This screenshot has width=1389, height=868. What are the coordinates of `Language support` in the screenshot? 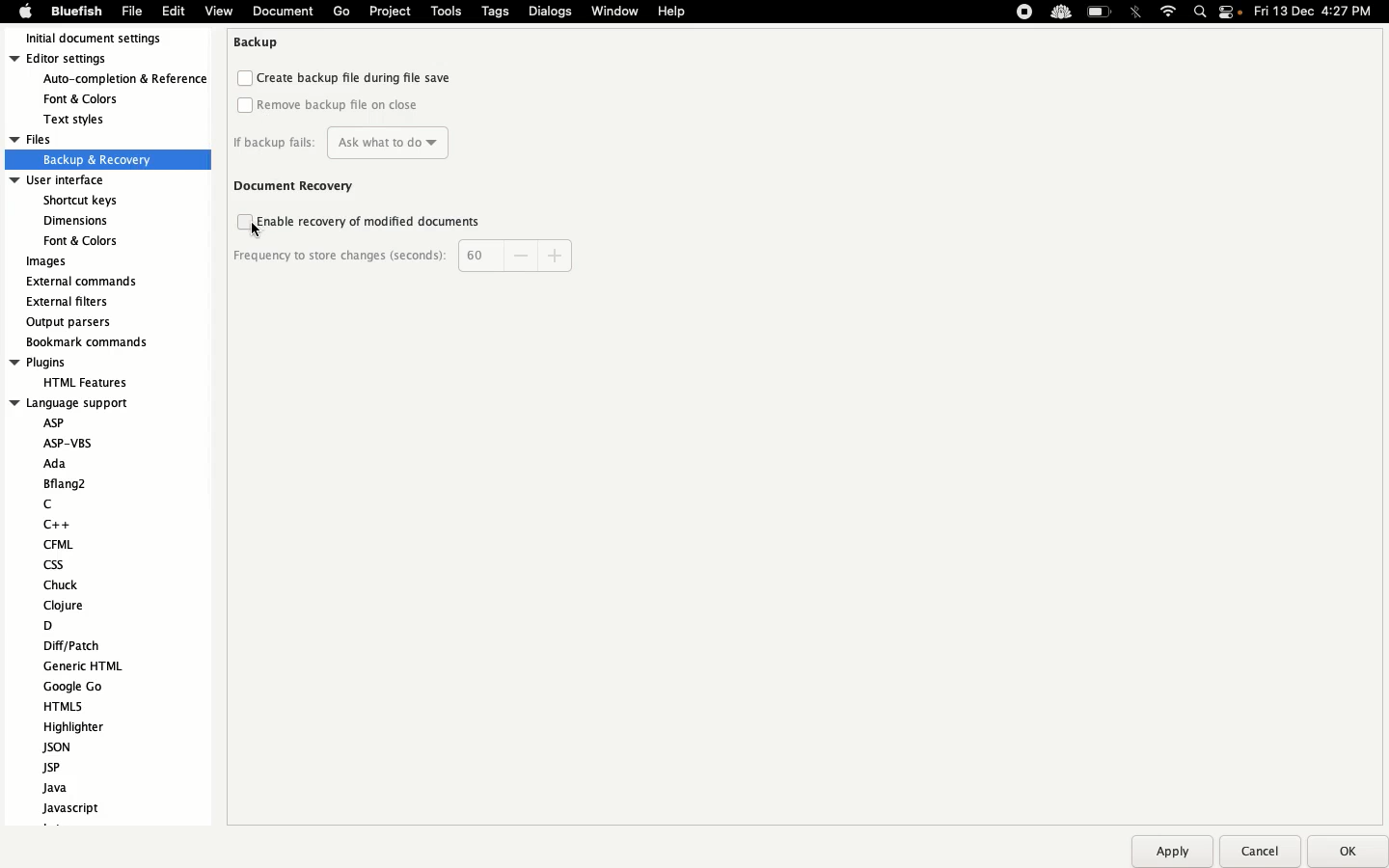 It's located at (84, 613).